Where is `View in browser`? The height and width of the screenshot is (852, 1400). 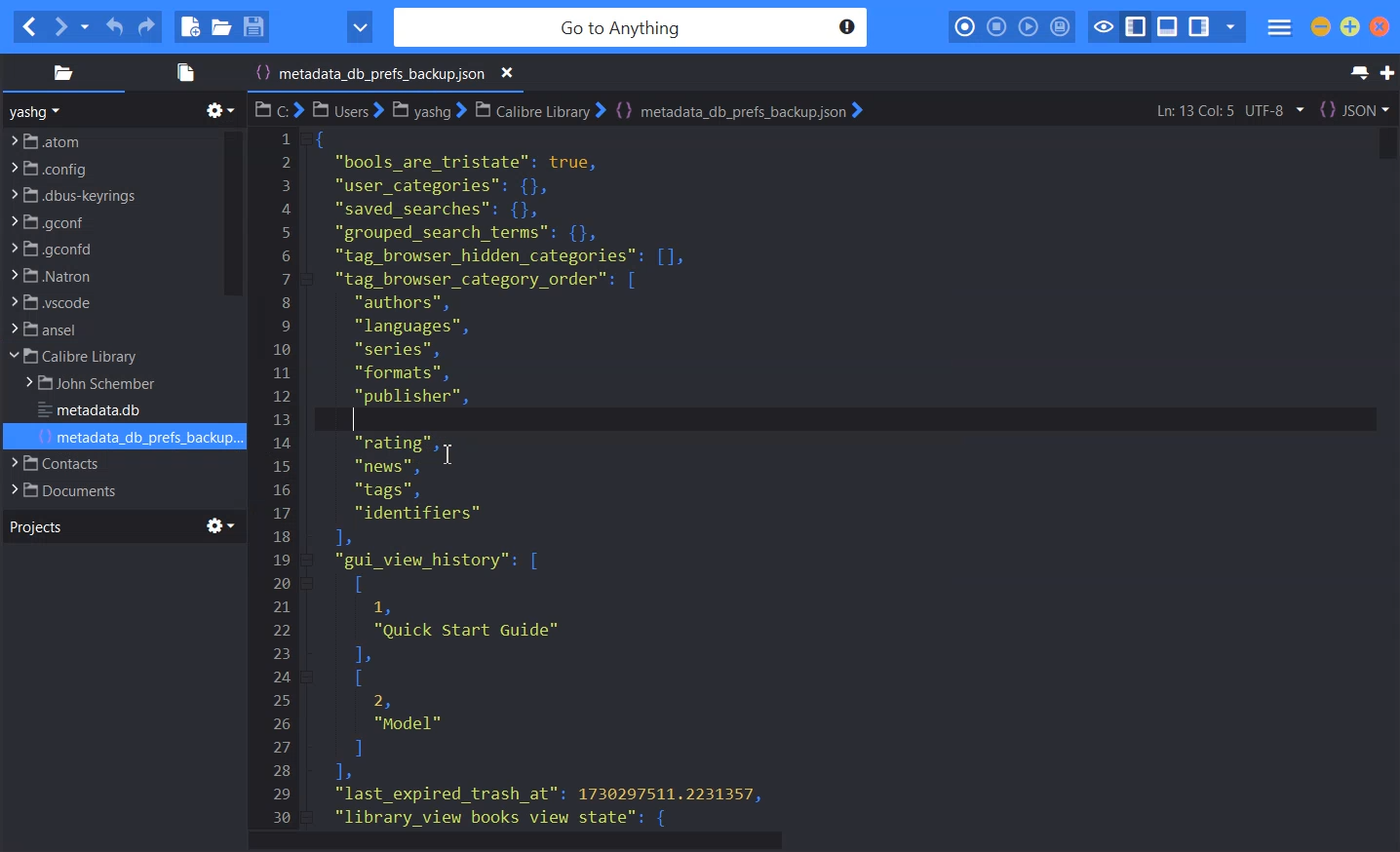 View in browser is located at coordinates (360, 27).